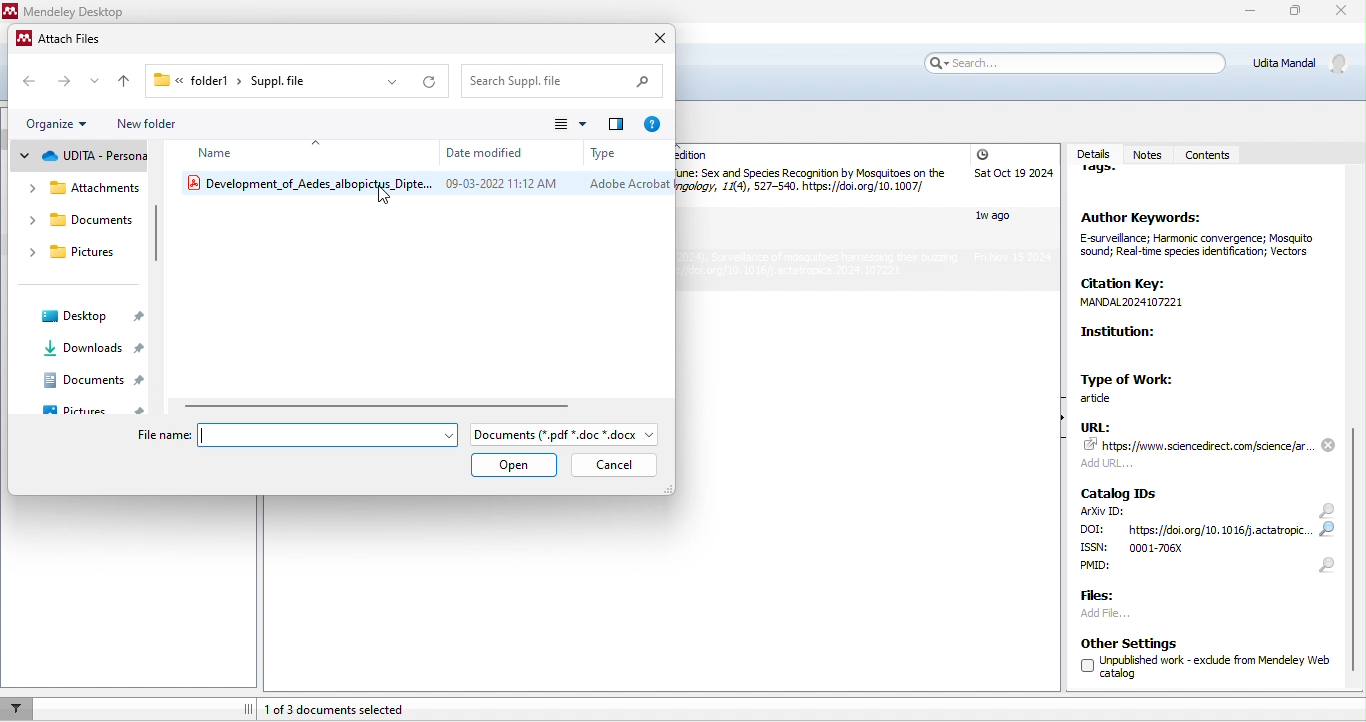 The image size is (1366, 722). I want to click on forward, so click(61, 80).